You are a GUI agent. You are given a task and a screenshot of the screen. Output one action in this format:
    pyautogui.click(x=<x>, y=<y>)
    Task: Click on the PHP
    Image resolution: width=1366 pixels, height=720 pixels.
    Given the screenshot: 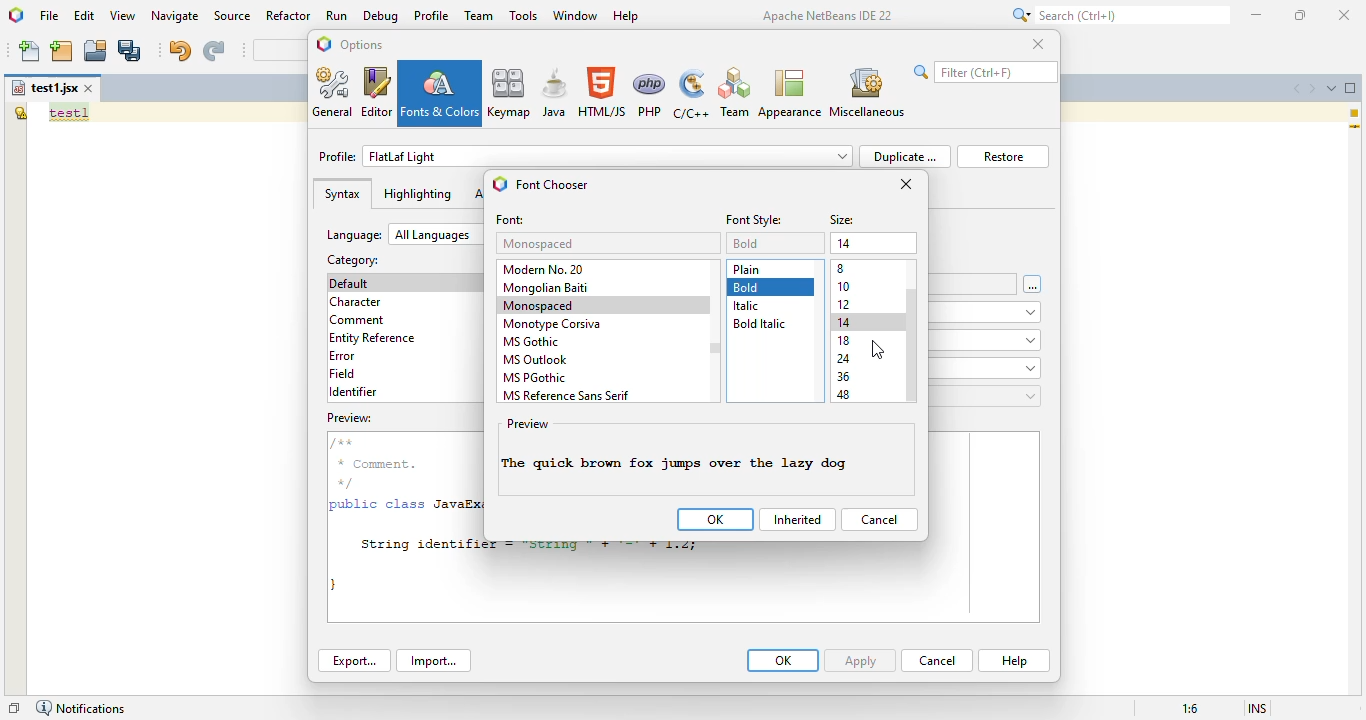 What is the action you would take?
    pyautogui.click(x=651, y=93)
    